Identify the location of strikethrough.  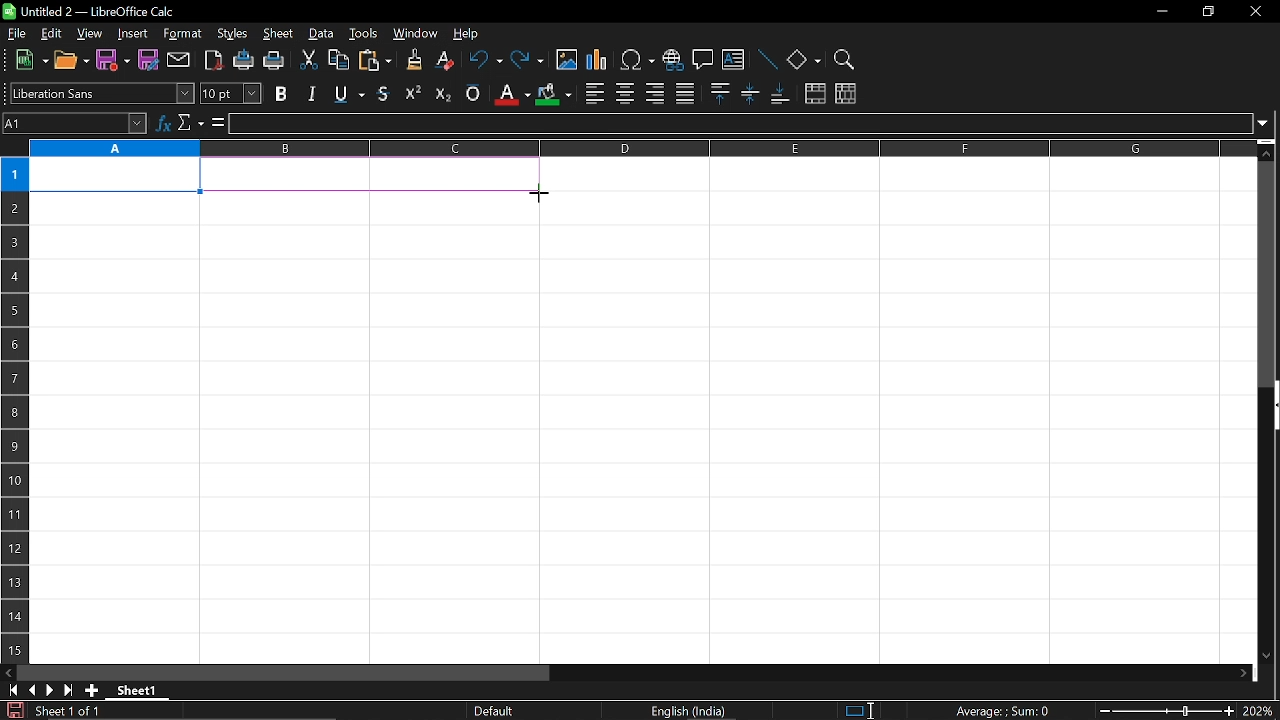
(384, 92).